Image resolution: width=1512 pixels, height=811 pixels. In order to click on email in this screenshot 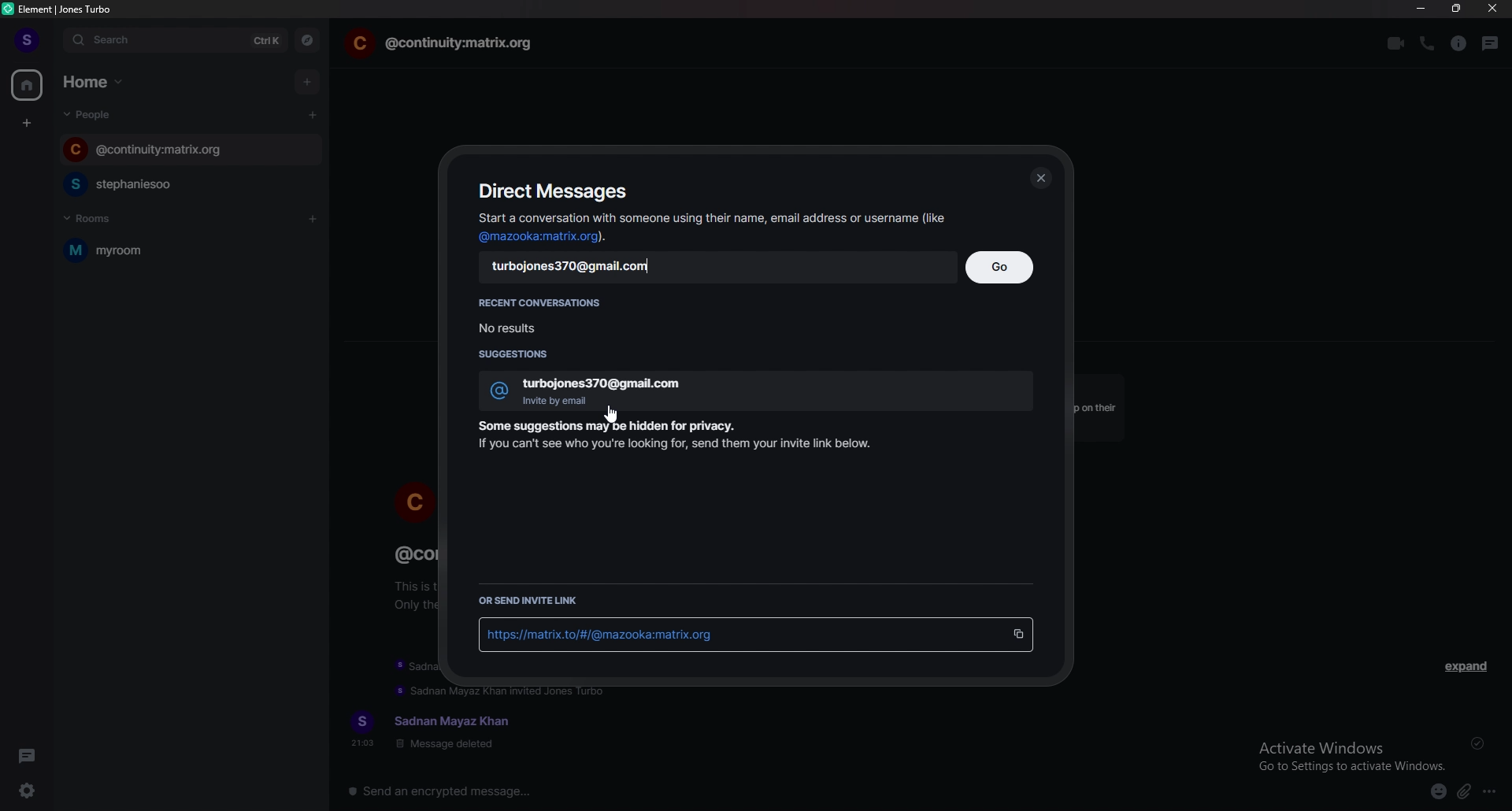, I will do `click(580, 268)`.